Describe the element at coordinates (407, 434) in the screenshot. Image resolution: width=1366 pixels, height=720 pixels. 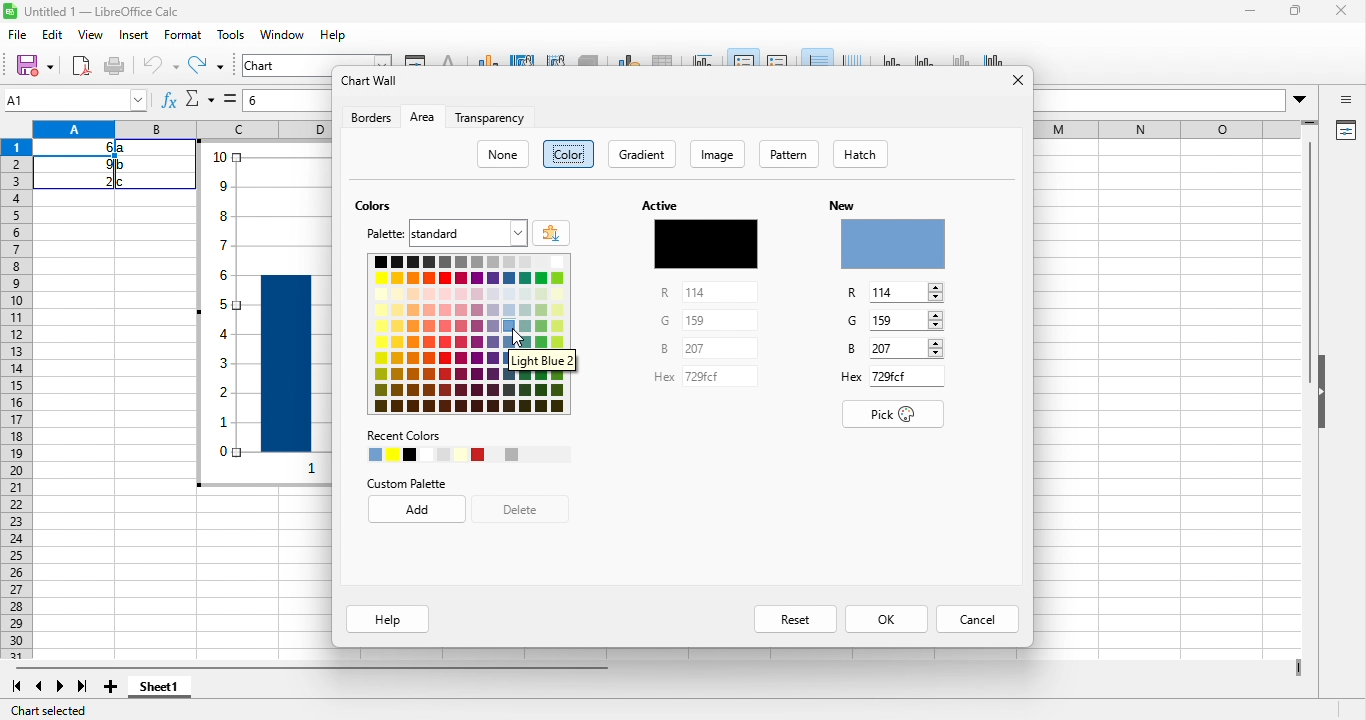
I see `recent colors` at that location.